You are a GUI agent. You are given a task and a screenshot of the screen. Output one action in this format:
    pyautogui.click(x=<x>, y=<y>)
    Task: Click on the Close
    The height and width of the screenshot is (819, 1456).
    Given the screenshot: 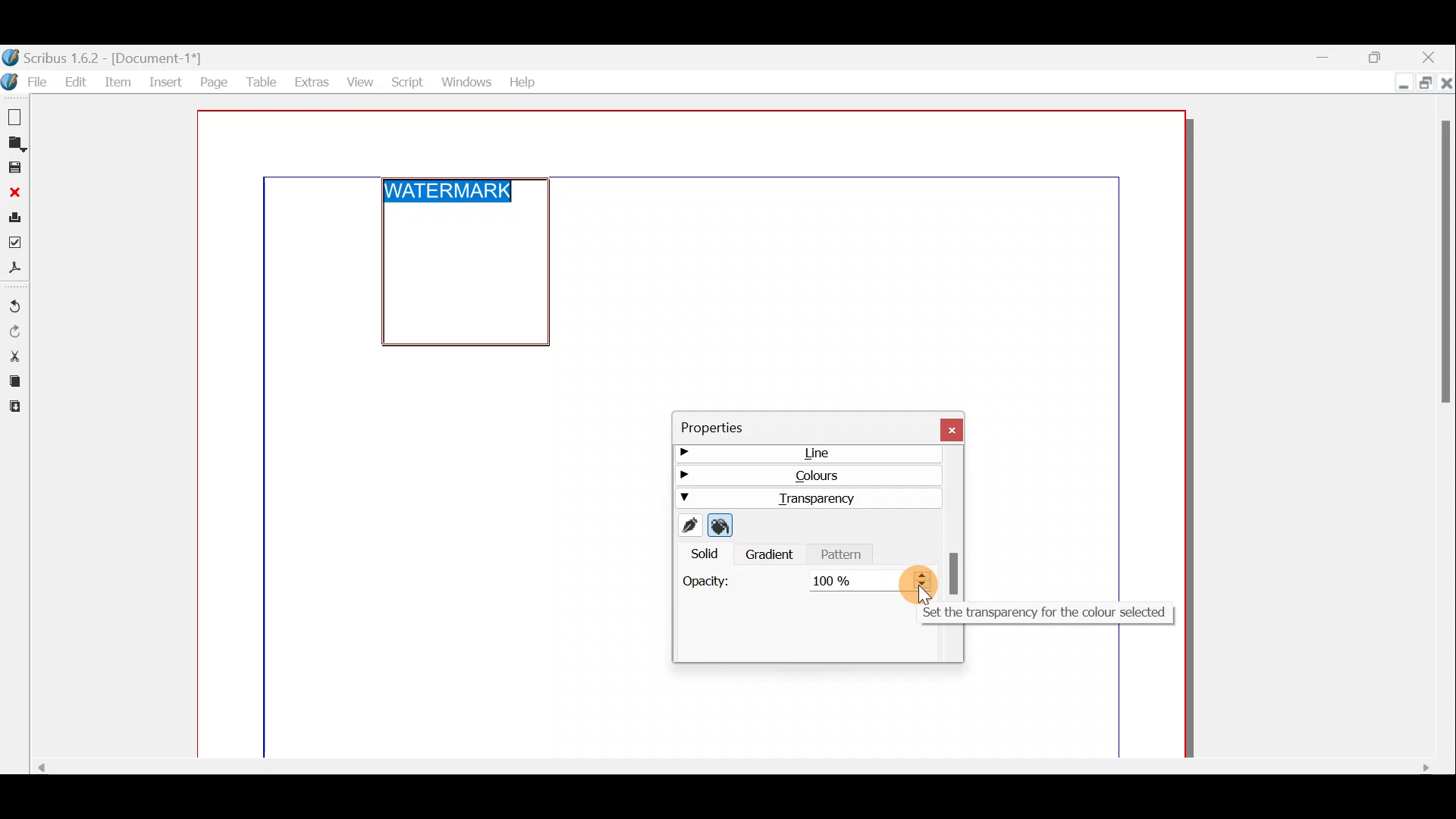 What is the action you would take?
    pyautogui.click(x=14, y=193)
    